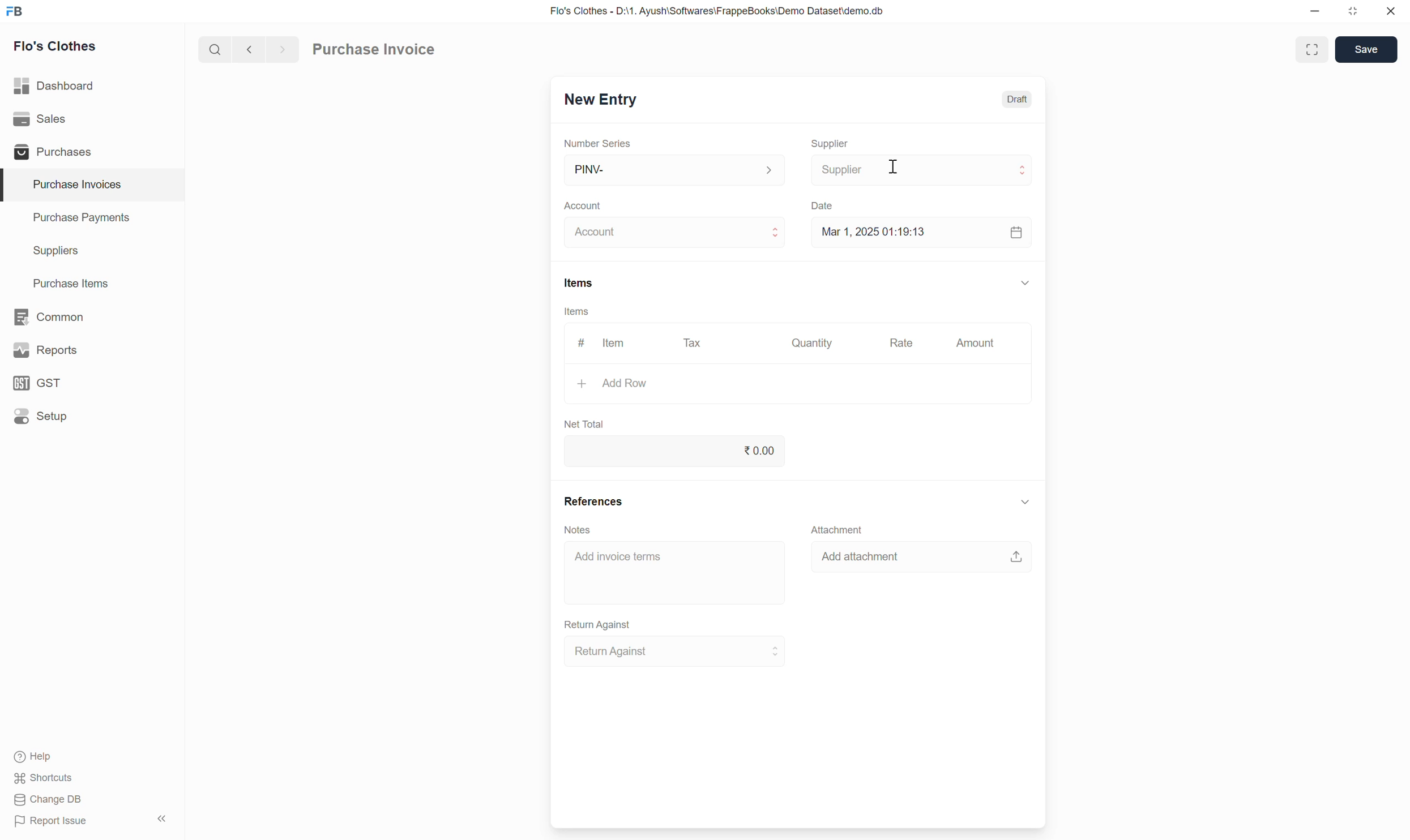 The image size is (1410, 840). Describe the element at coordinates (70, 185) in the screenshot. I see `Purchase Invoices` at that location.